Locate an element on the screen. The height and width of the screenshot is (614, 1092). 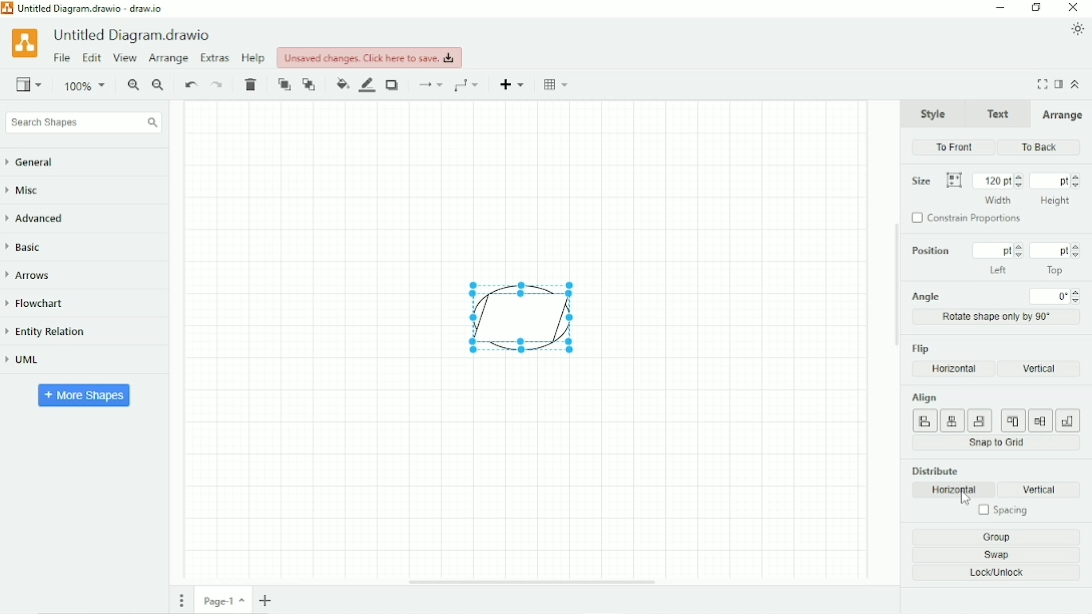
Flip is located at coordinates (922, 348).